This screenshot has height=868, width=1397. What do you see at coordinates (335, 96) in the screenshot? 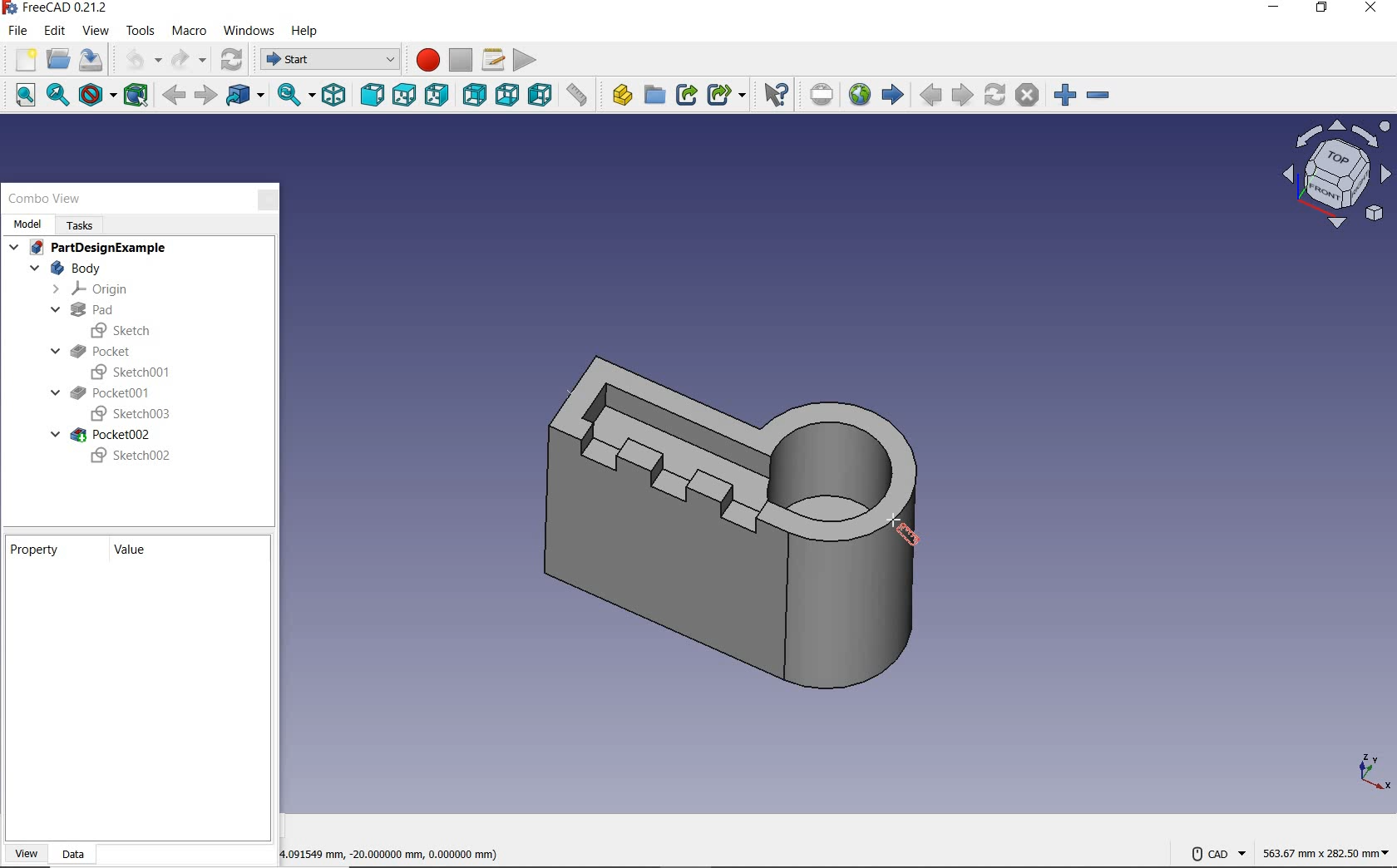
I see `isometric` at bounding box center [335, 96].